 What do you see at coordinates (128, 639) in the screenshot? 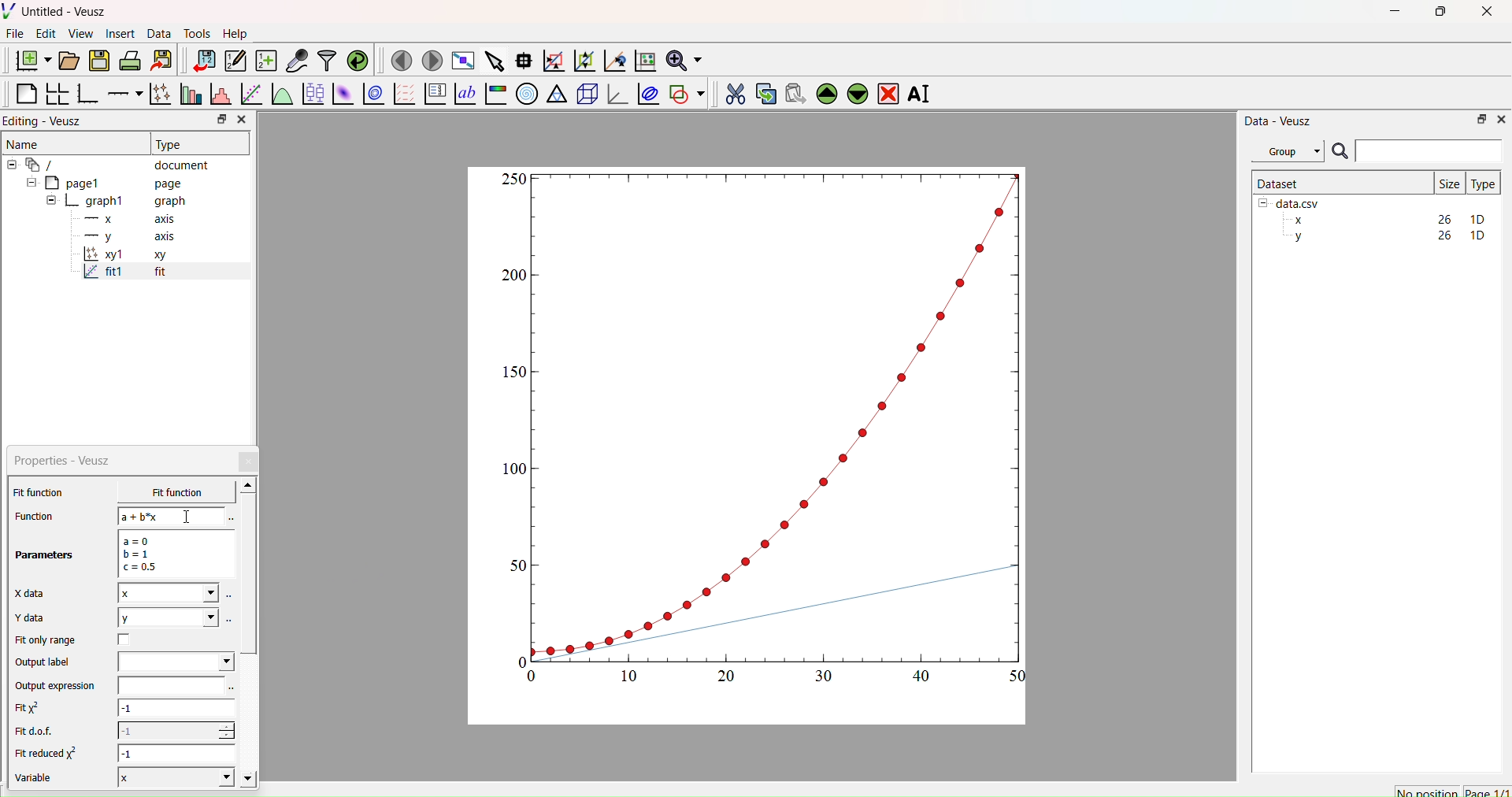
I see `Checkbox` at bounding box center [128, 639].